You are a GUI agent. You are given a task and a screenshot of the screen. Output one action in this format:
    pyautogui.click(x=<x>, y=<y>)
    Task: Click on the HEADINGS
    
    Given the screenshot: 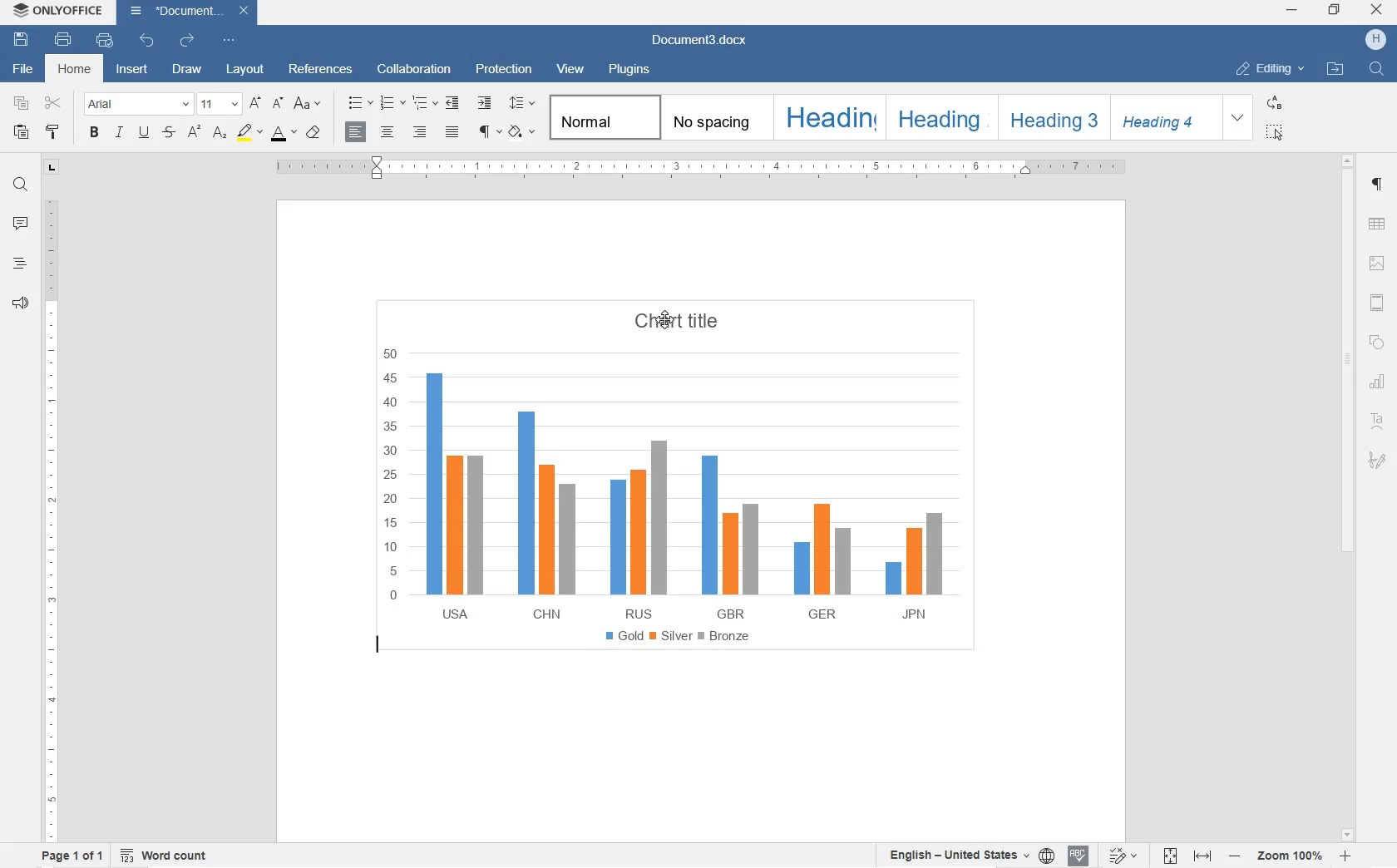 What is the action you would take?
    pyautogui.click(x=19, y=265)
    